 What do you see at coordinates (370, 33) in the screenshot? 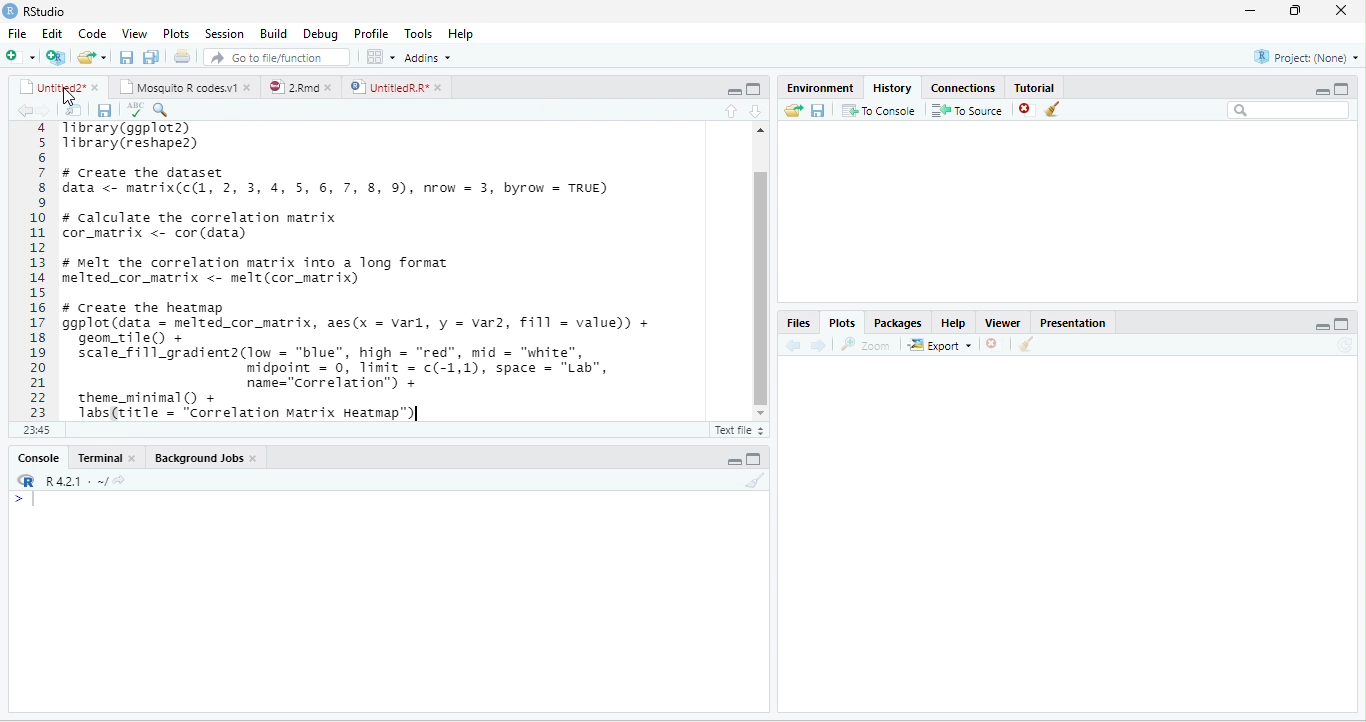
I see `profile` at bounding box center [370, 33].